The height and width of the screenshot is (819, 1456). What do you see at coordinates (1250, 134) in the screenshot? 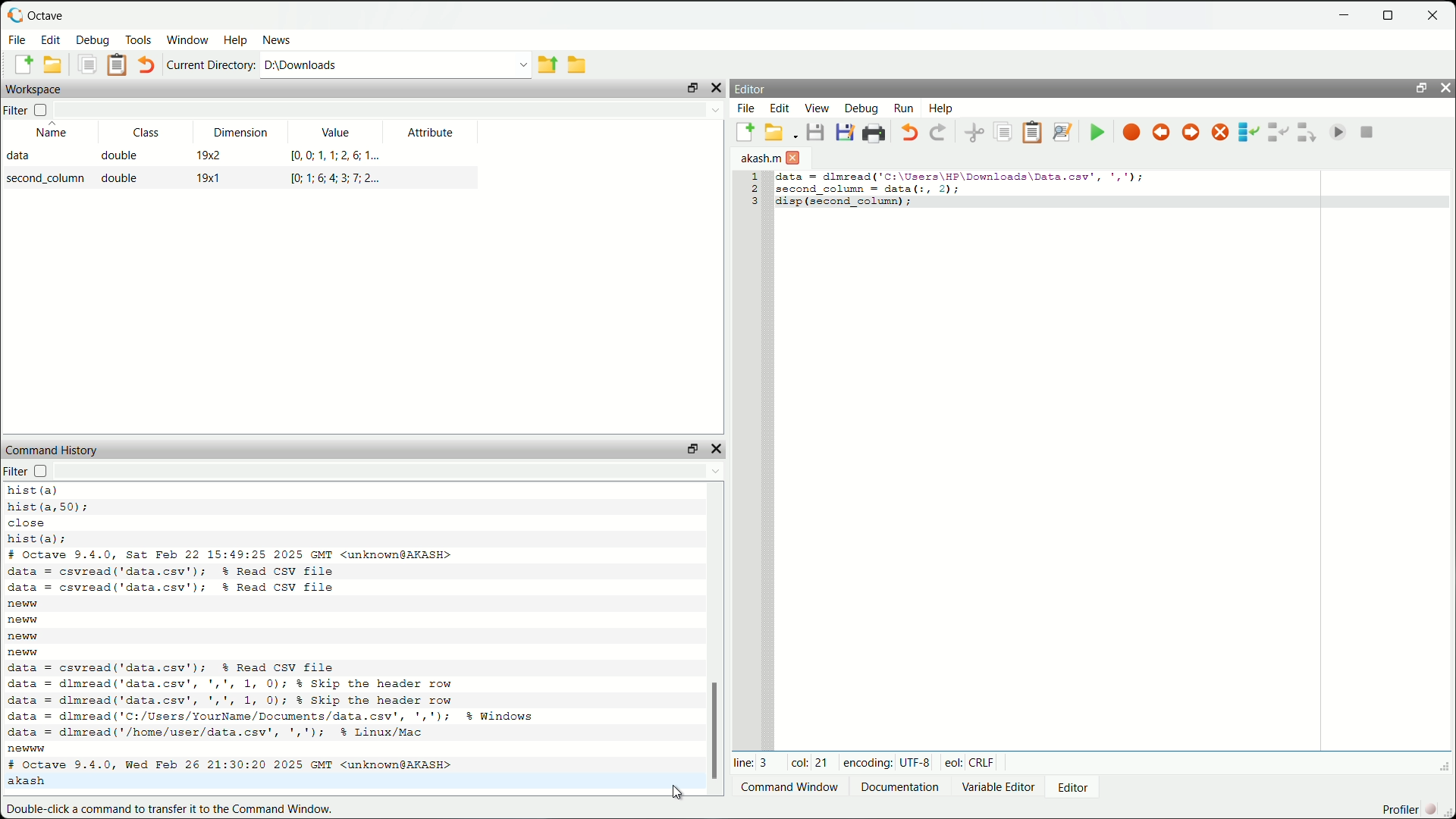
I see `step` at bounding box center [1250, 134].